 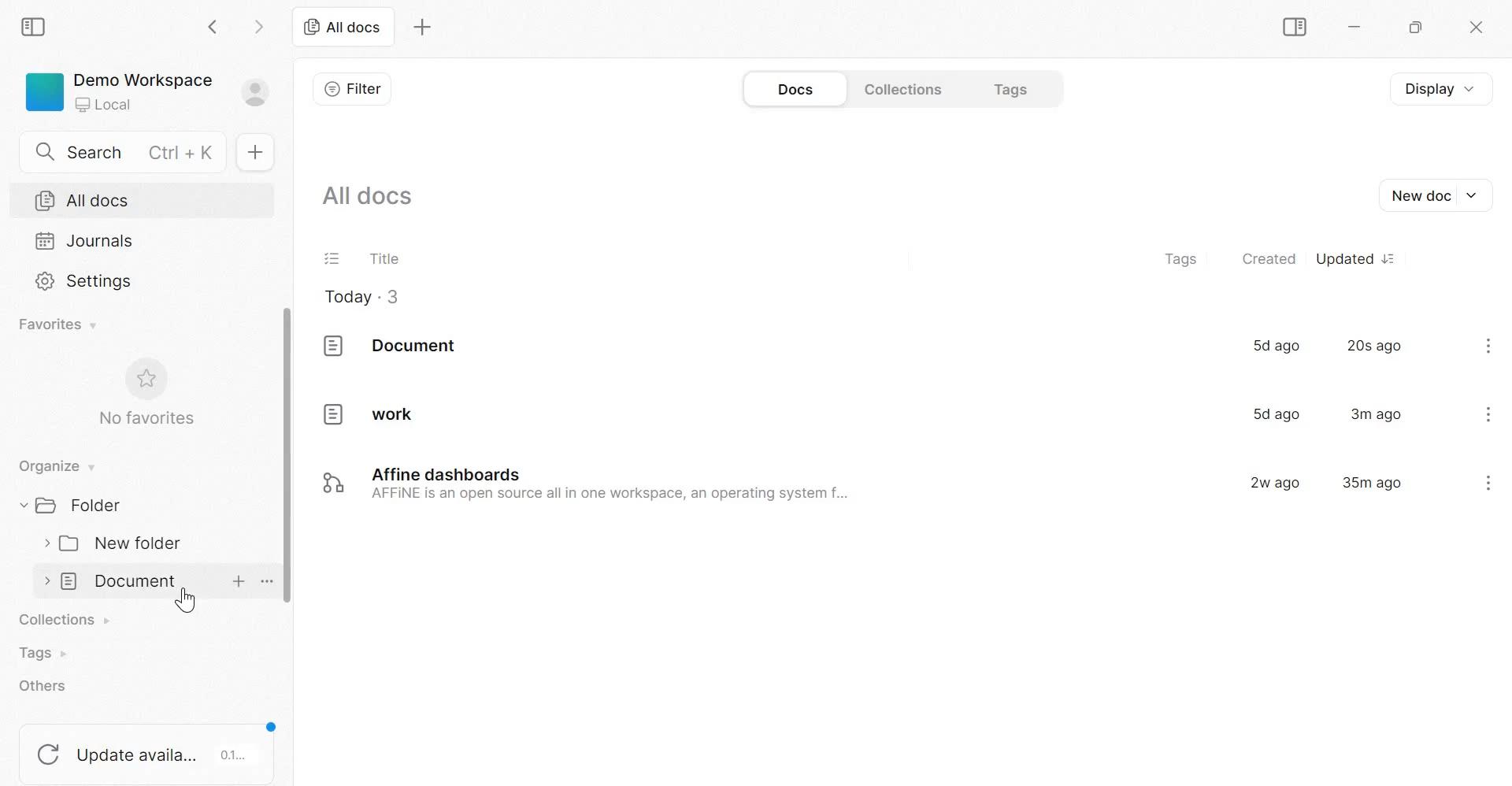 What do you see at coordinates (1277, 483) in the screenshot?
I see `2w ago` at bounding box center [1277, 483].